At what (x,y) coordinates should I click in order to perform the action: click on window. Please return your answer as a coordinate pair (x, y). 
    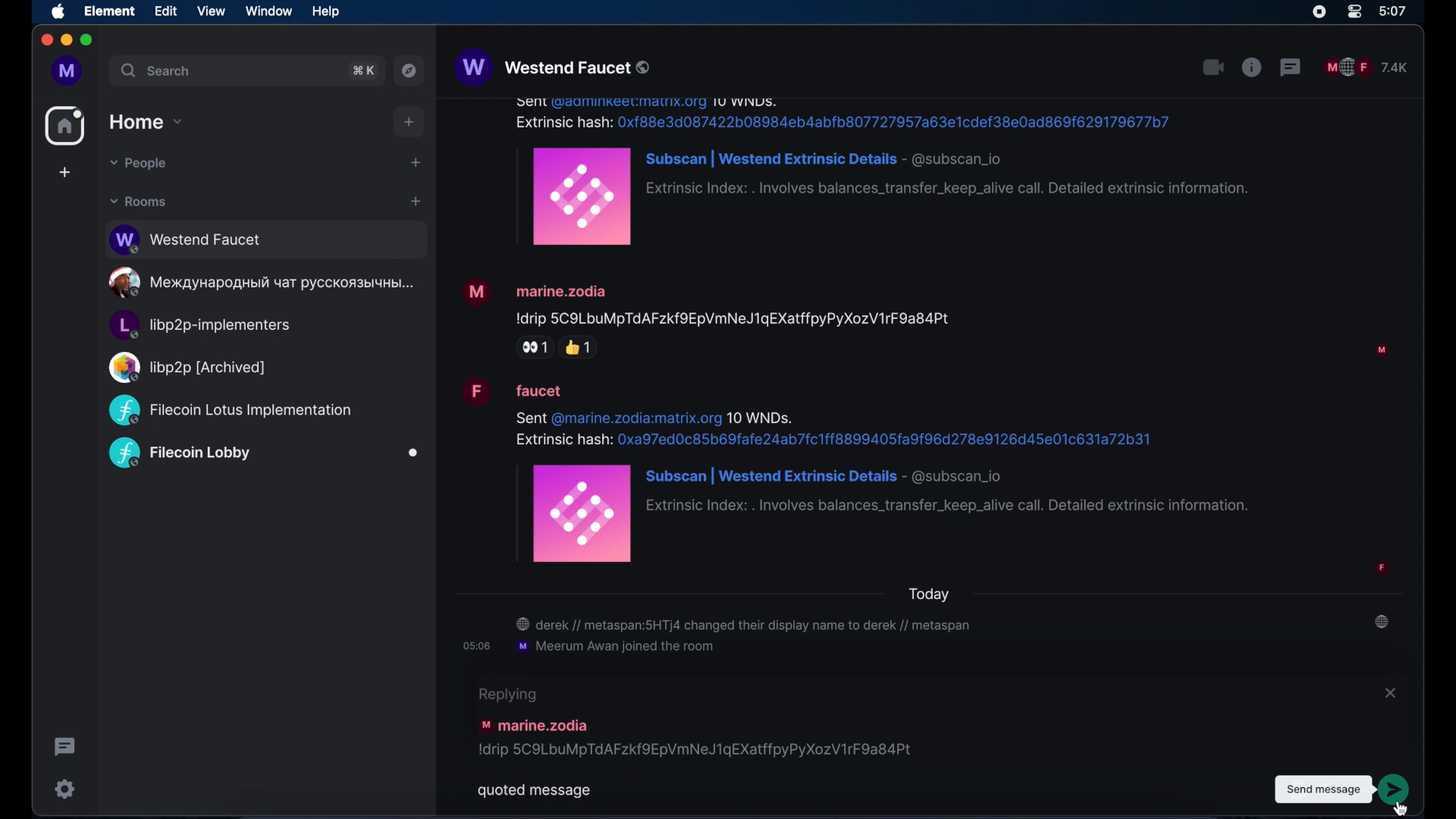
    Looking at the image, I should click on (268, 12).